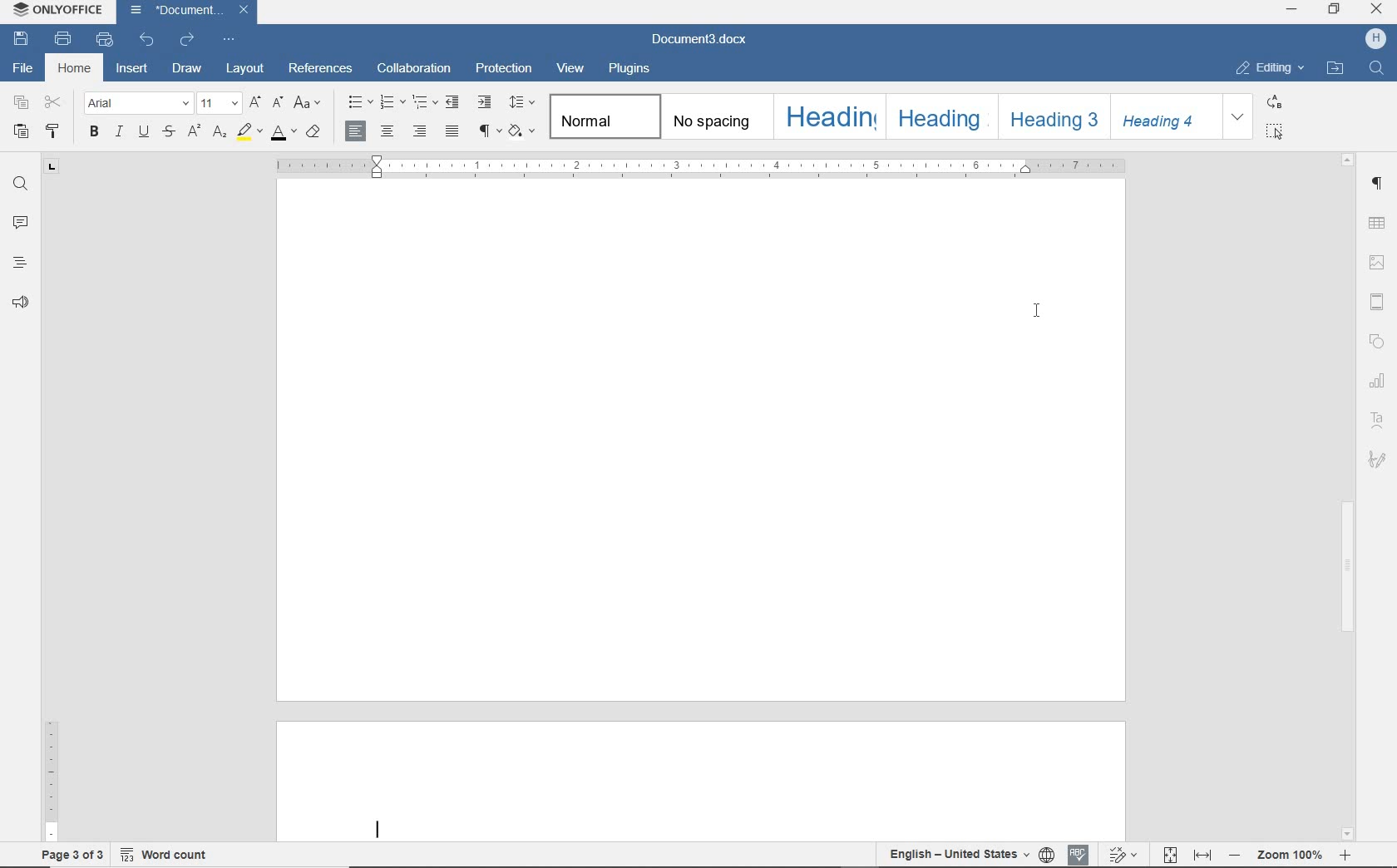  Describe the element at coordinates (1120, 850) in the screenshot. I see `Track changes` at that location.